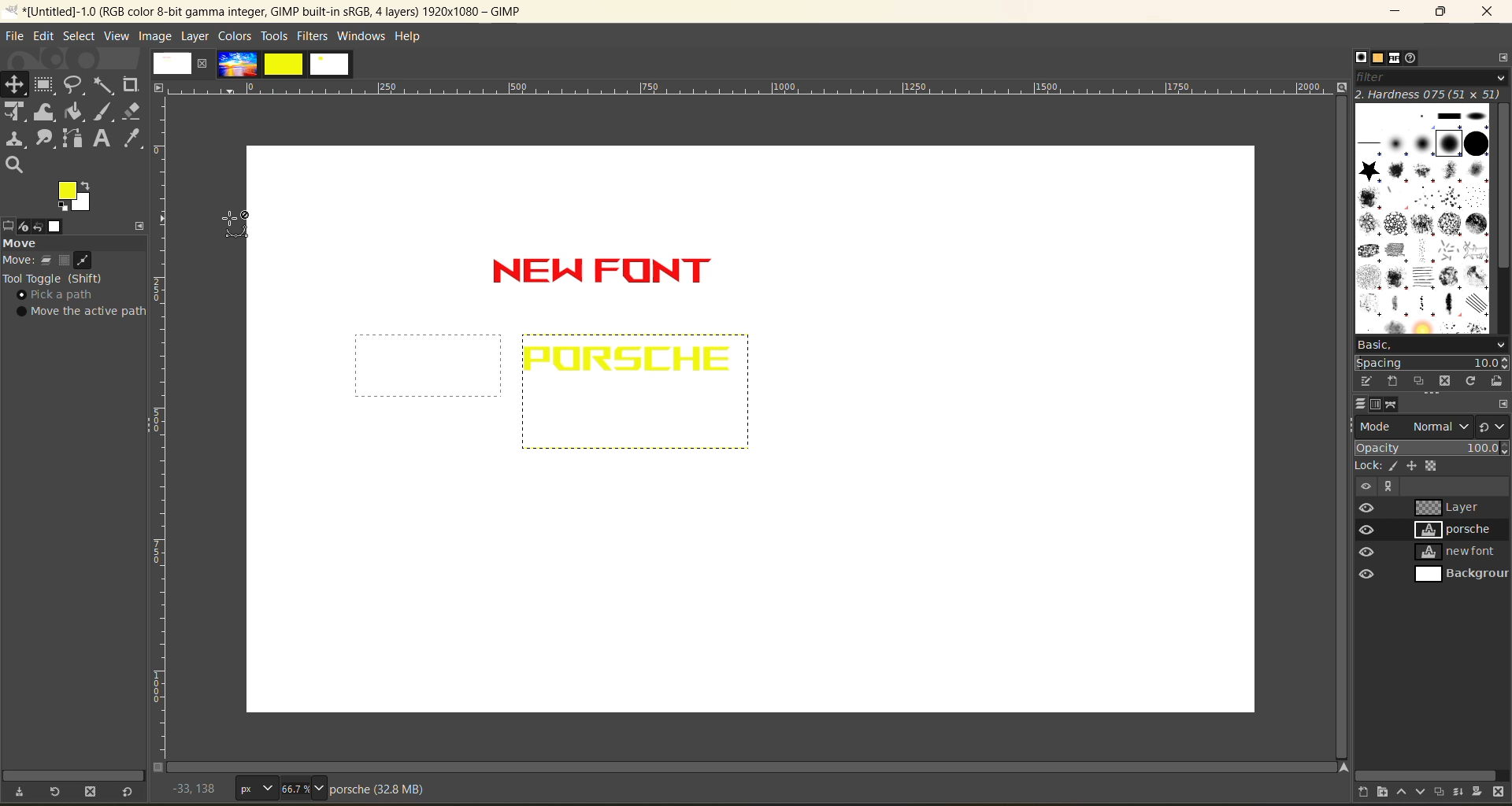 The height and width of the screenshot is (806, 1512). Describe the element at coordinates (1363, 486) in the screenshot. I see `` at that location.